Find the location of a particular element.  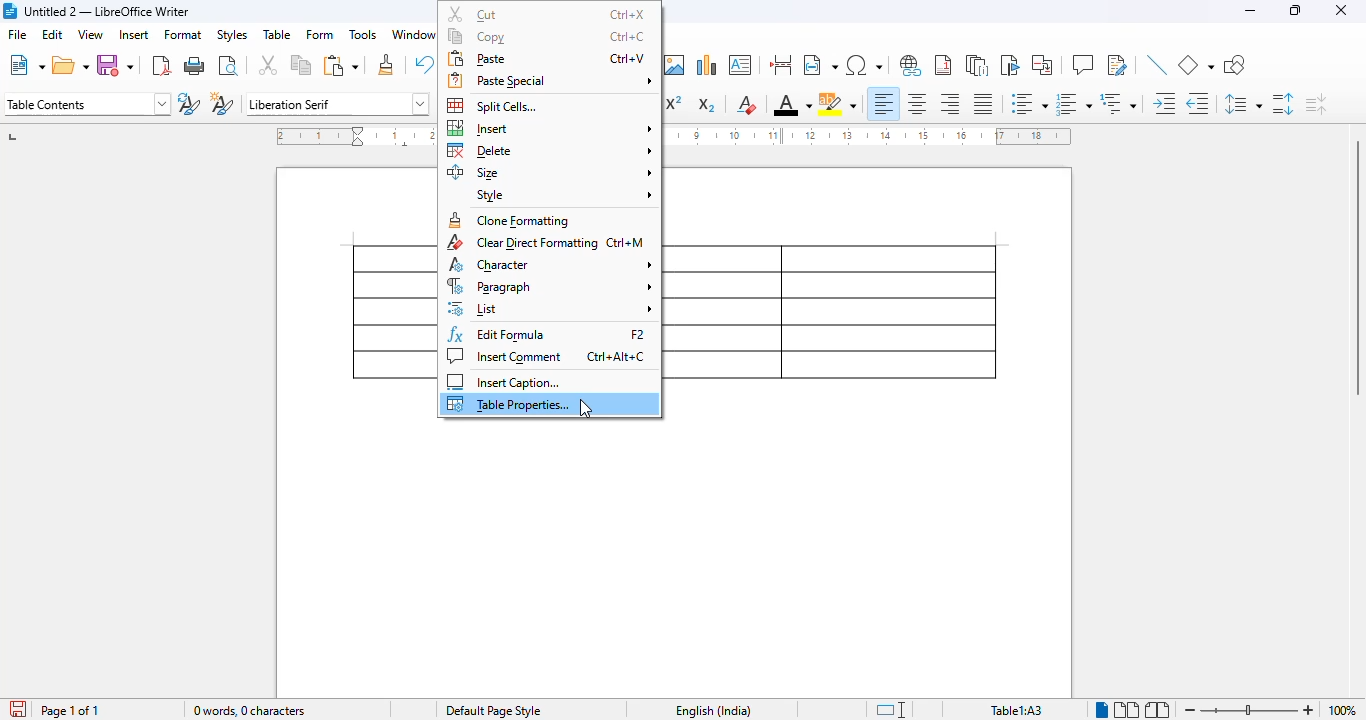

font name is located at coordinates (337, 105).